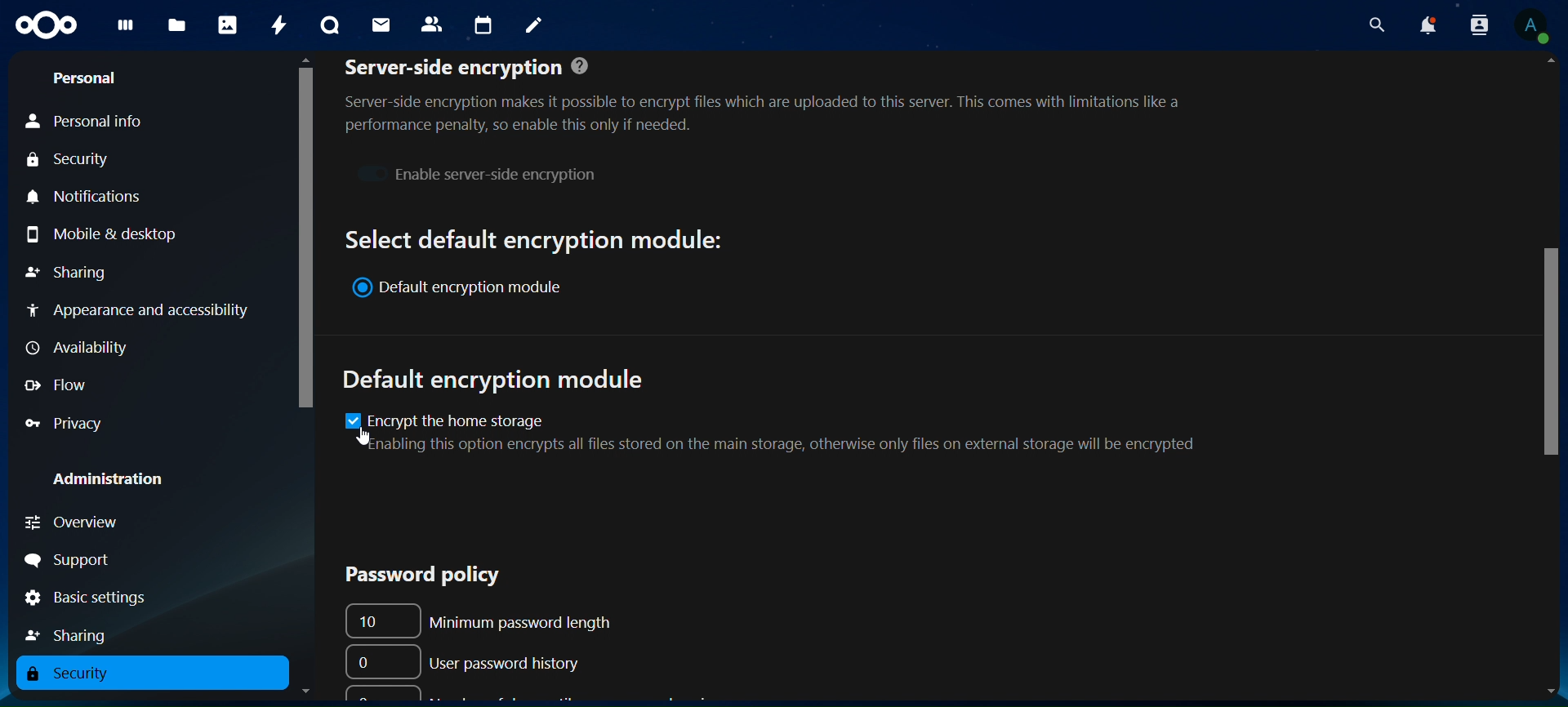  I want to click on encrypt the home storage, so click(791, 431).